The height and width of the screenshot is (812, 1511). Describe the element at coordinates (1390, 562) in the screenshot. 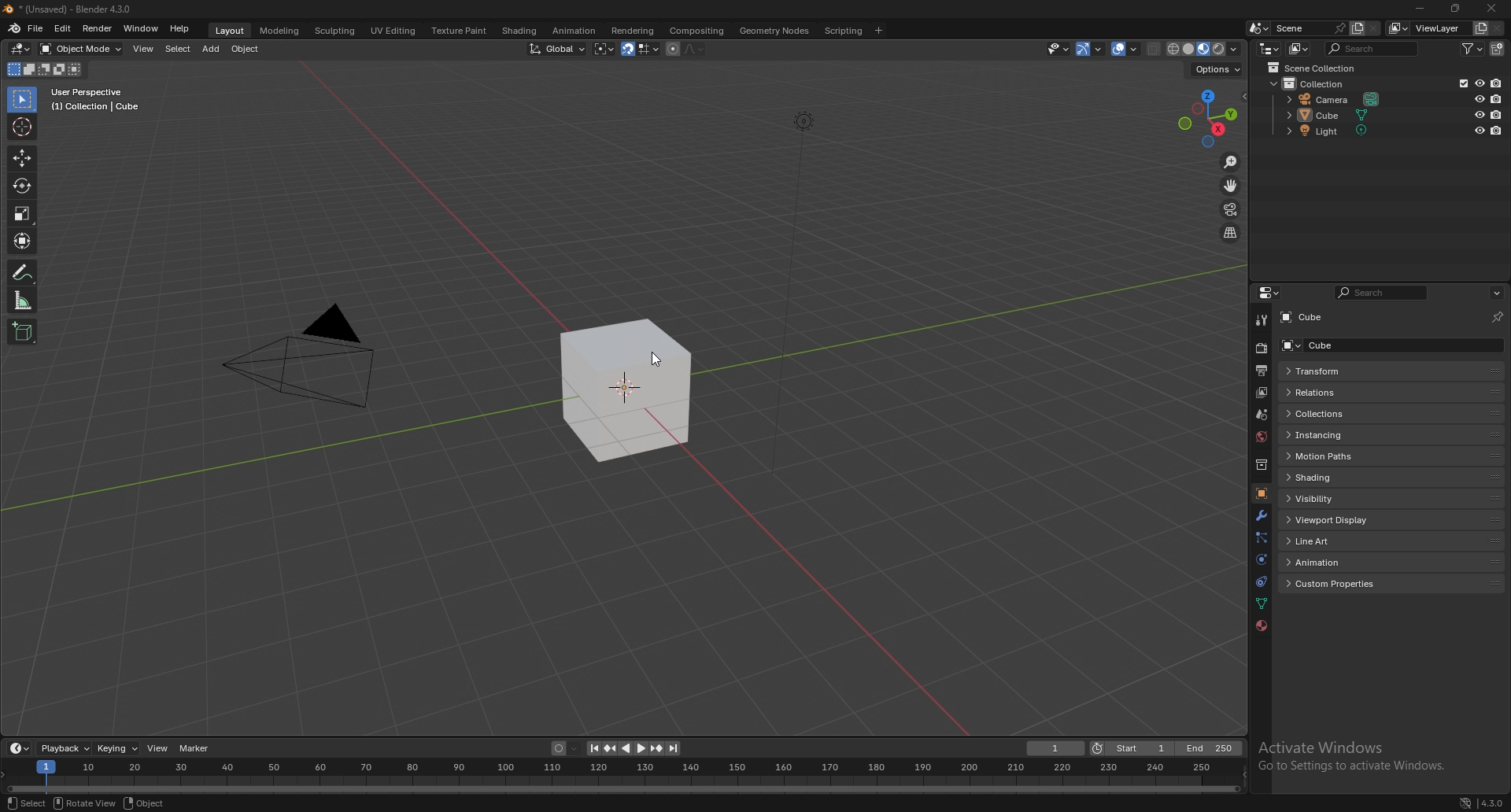

I see `animation` at that location.